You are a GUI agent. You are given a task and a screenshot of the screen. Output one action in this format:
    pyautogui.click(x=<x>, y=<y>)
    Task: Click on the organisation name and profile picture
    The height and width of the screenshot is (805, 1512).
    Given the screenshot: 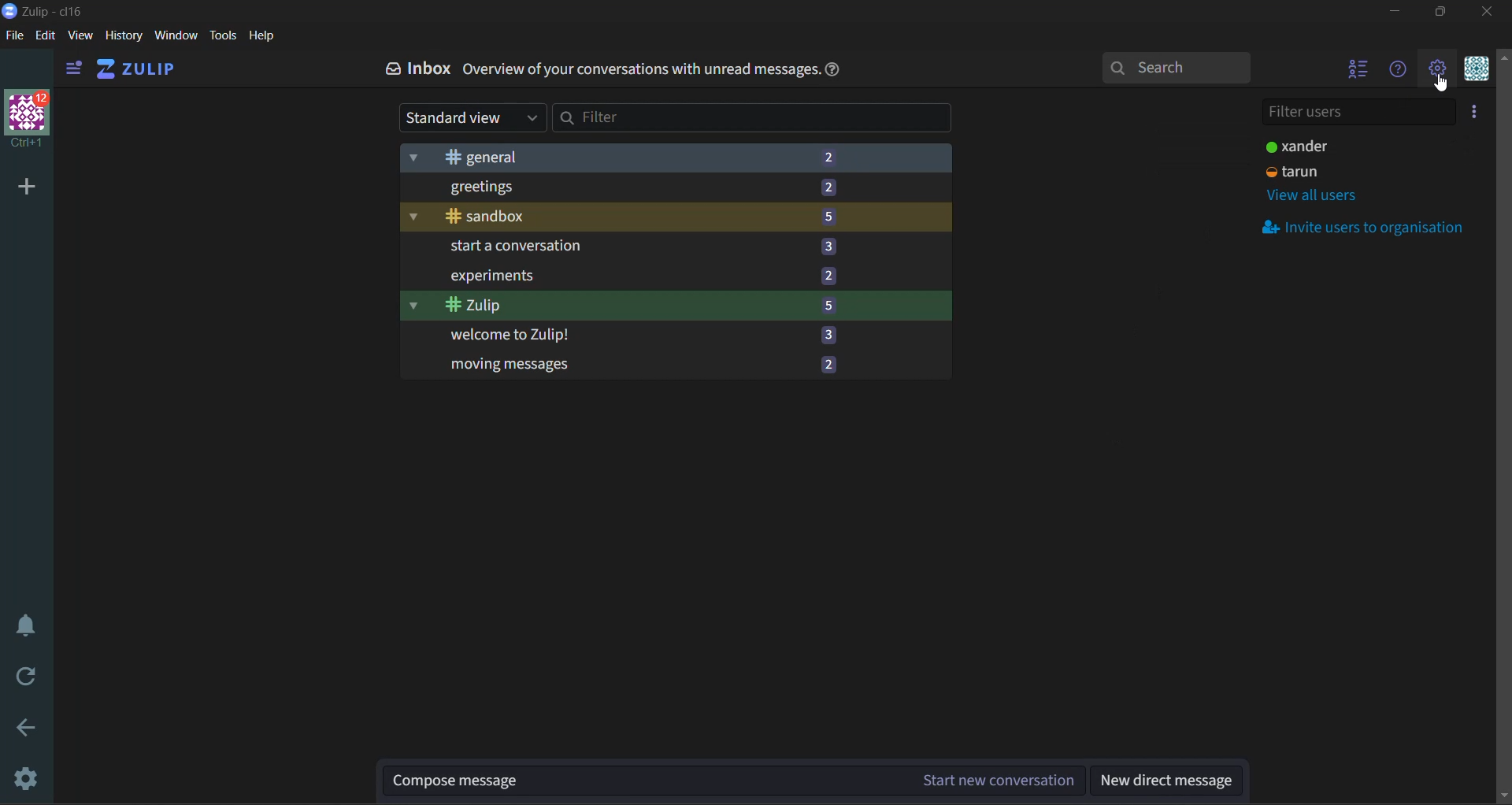 What is the action you would take?
    pyautogui.click(x=28, y=117)
    